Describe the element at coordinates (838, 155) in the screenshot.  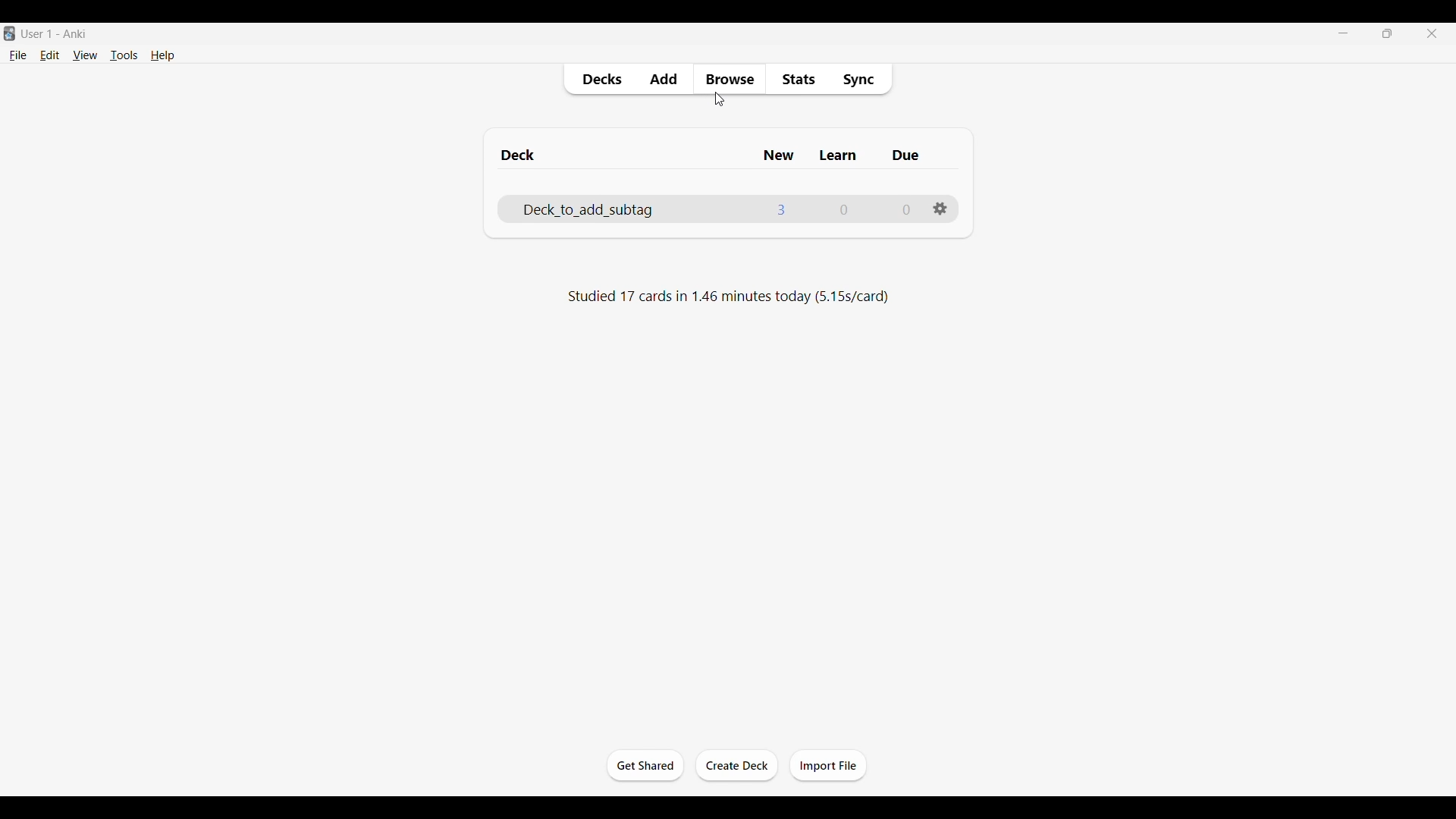
I see `Column for cards to learn` at that location.